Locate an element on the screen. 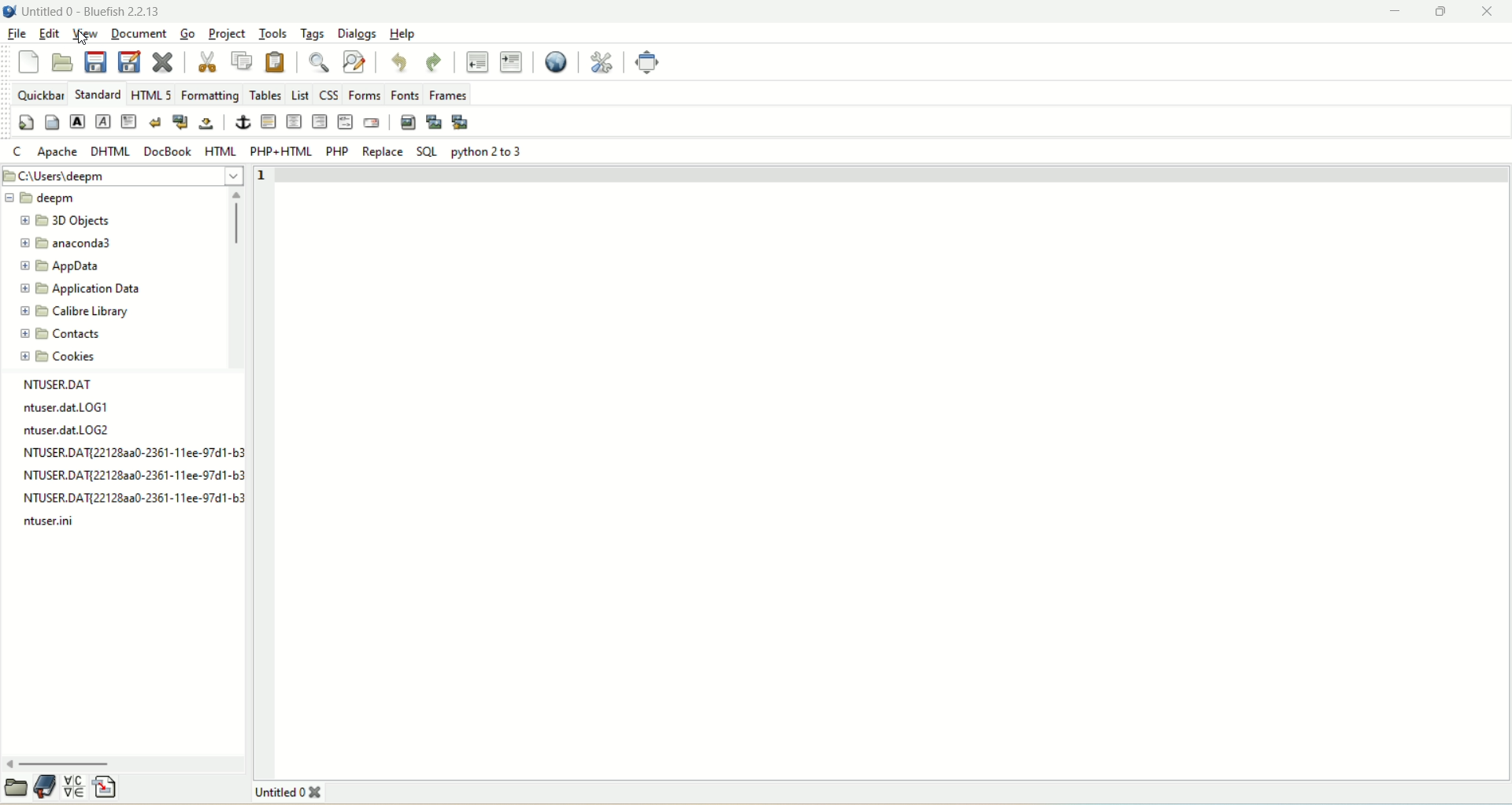 Image resolution: width=1512 pixels, height=805 pixels. frames is located at coordinates (450, 95).